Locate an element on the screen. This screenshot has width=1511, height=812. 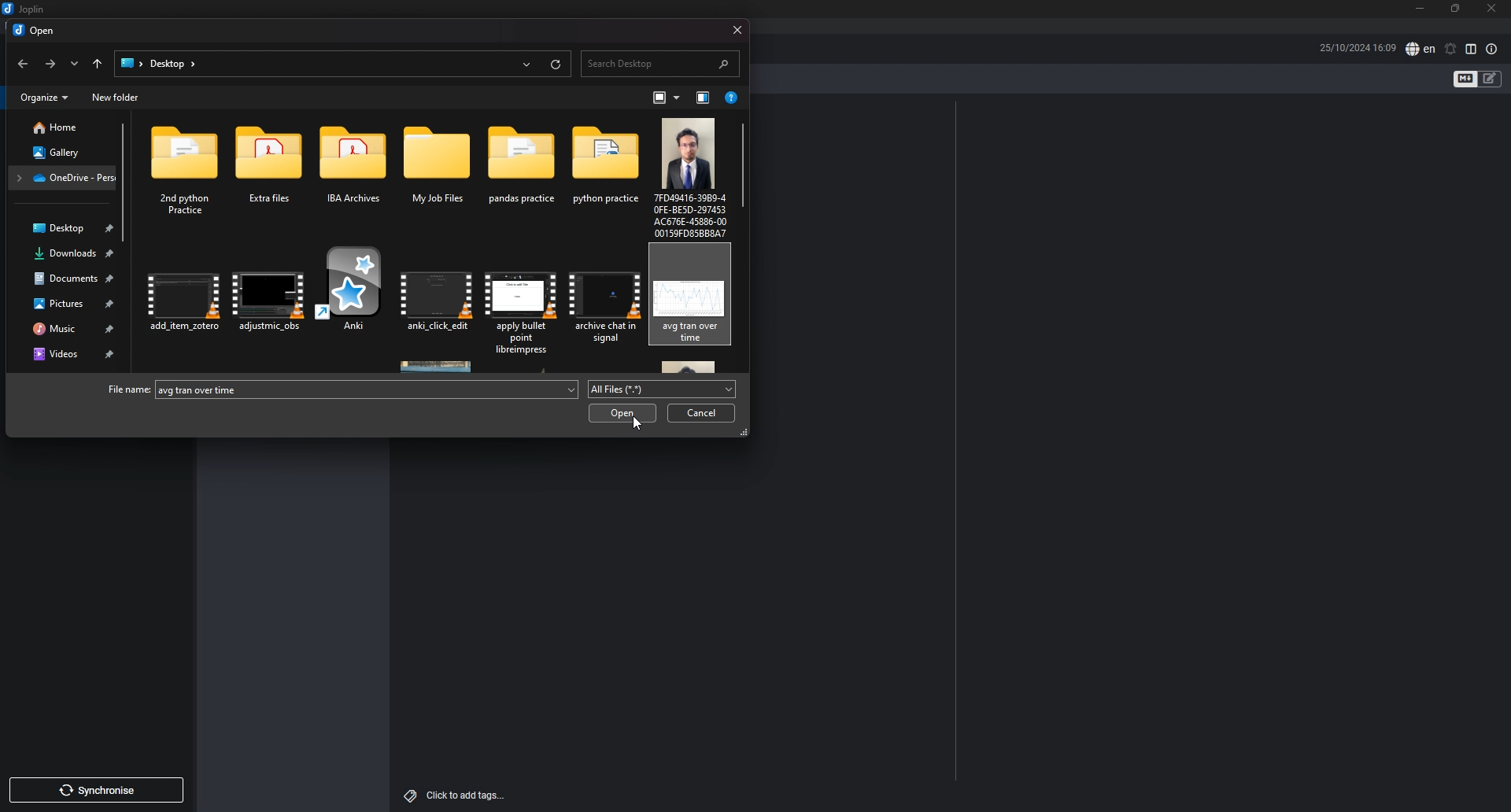
2nd Python Practice is located at coordinates (187, 175).